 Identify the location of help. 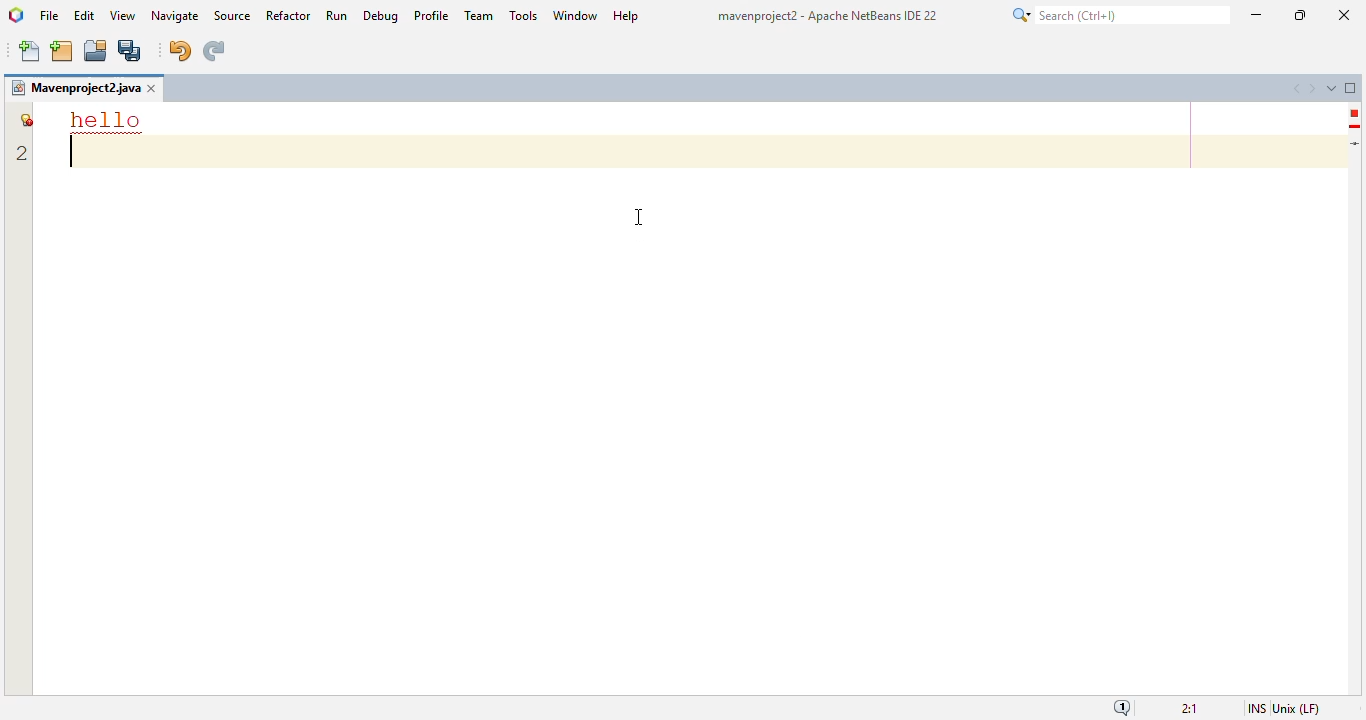
(627, 17).